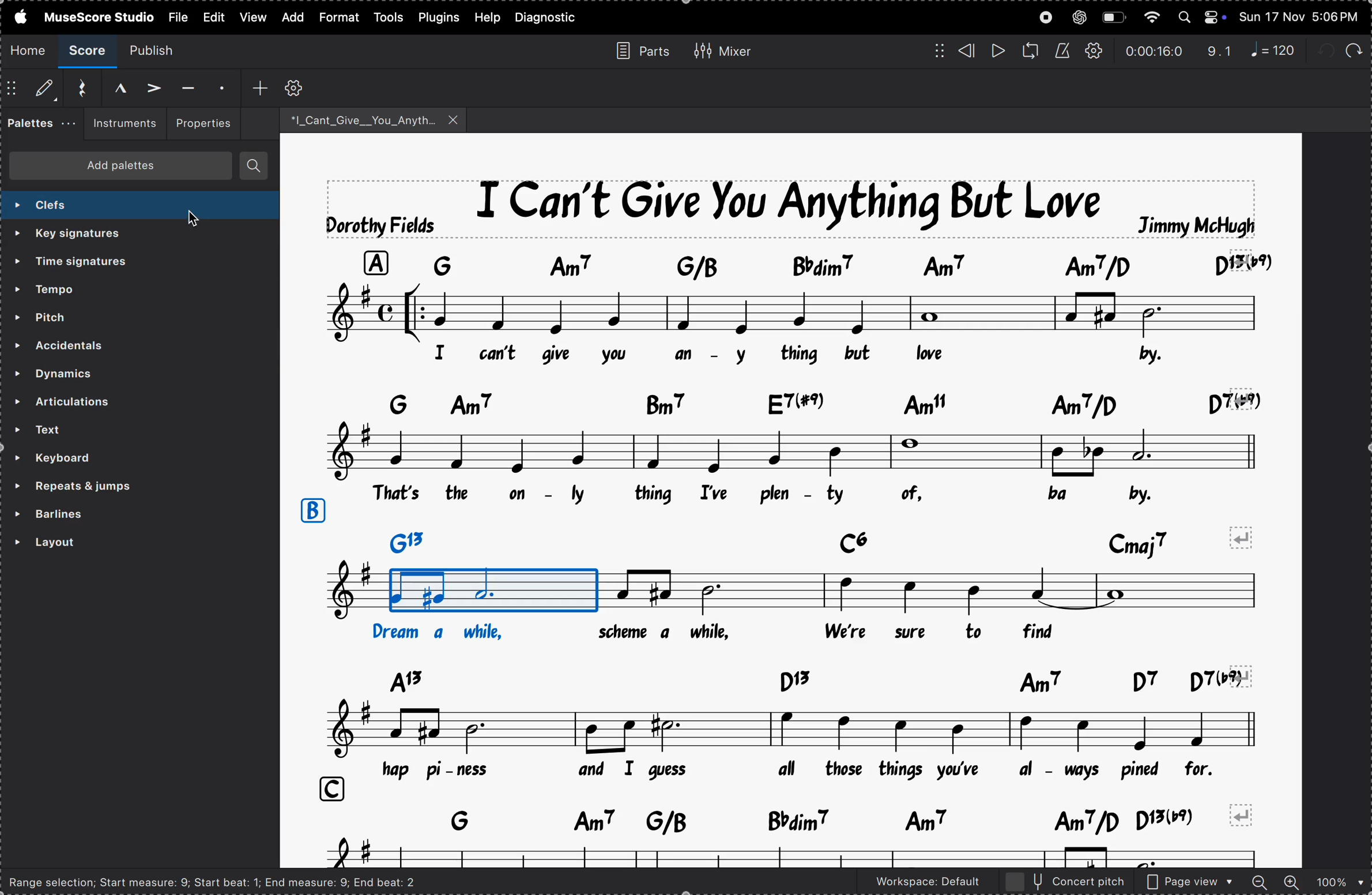 This screenshot has width=1372, height=895. Describe the element at coordinates (638, 50) in the screenshot. I see `parts` at that location.